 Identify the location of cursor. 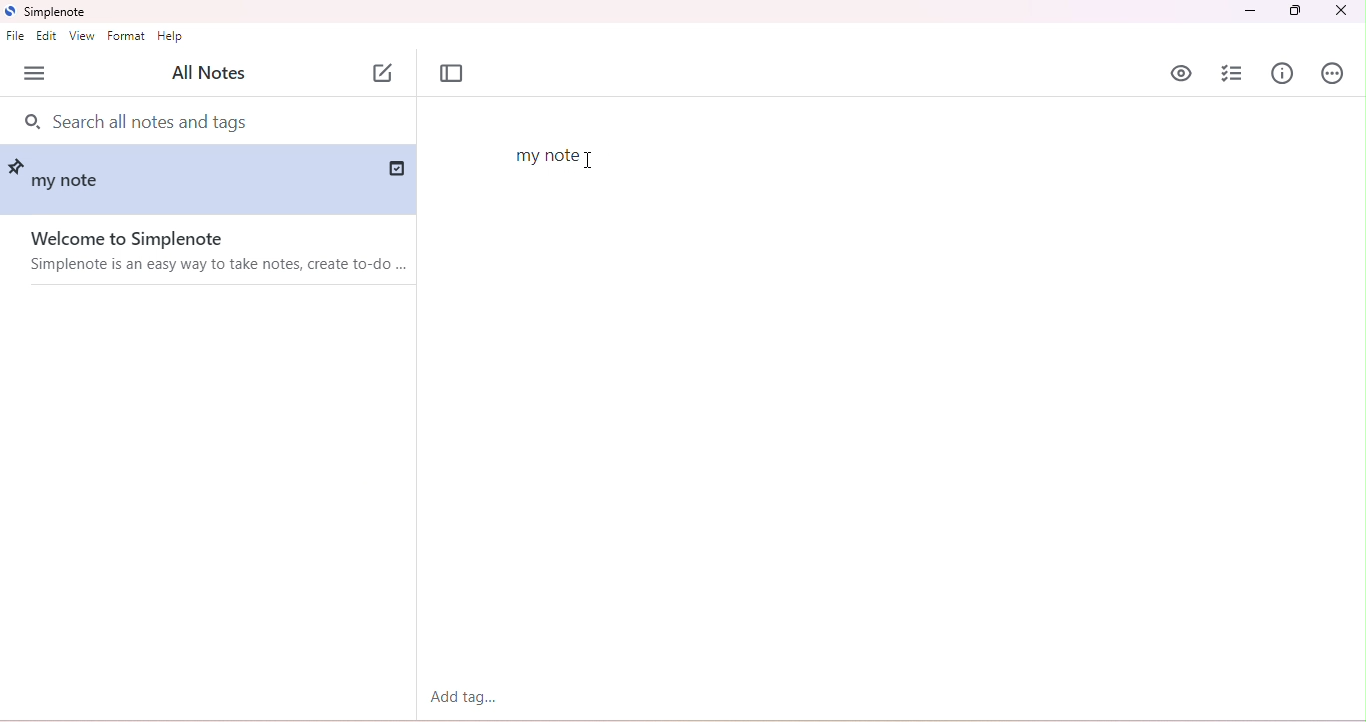
(592, 160).